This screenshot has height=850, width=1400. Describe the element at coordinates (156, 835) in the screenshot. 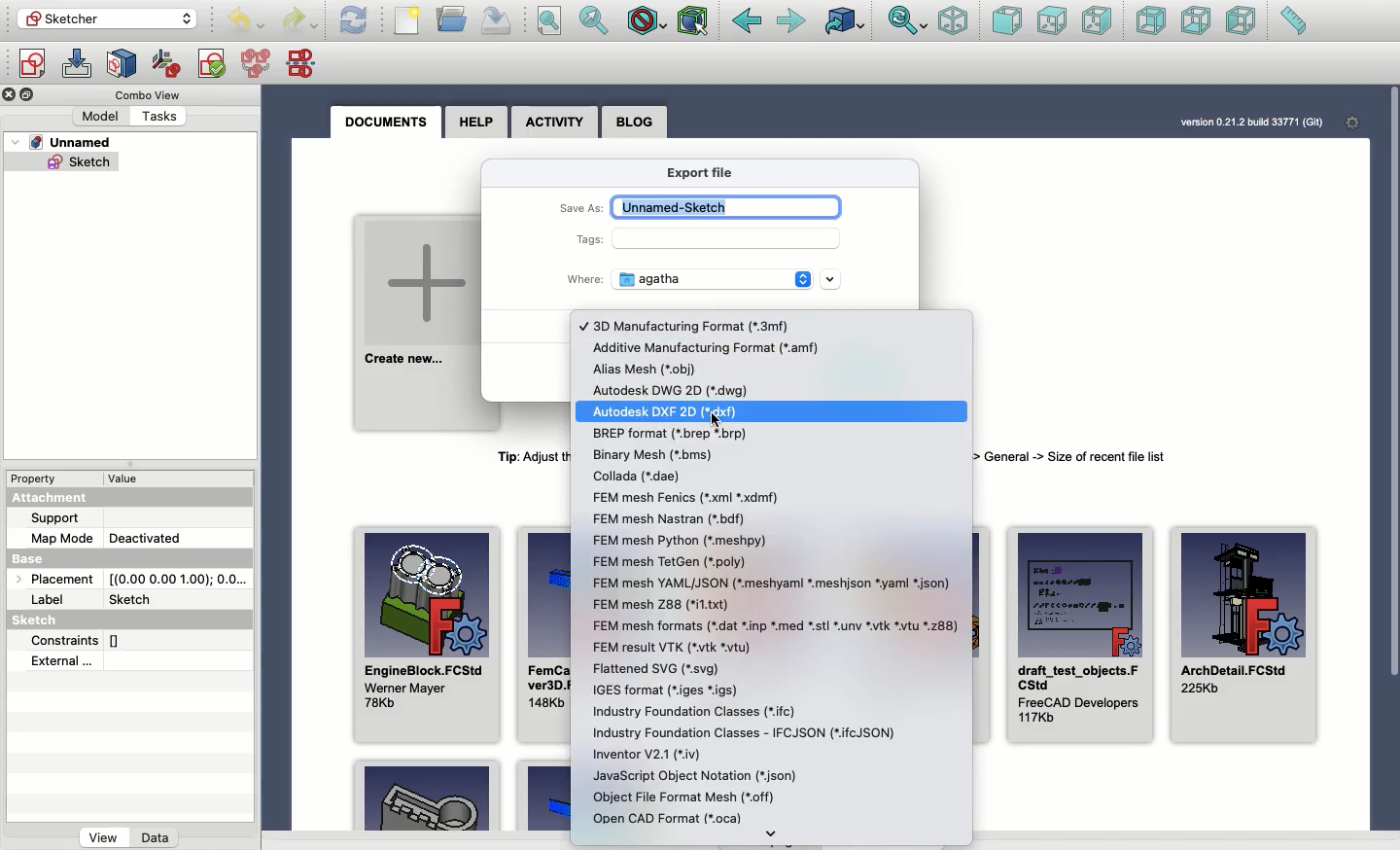

I see `Data` at that location.